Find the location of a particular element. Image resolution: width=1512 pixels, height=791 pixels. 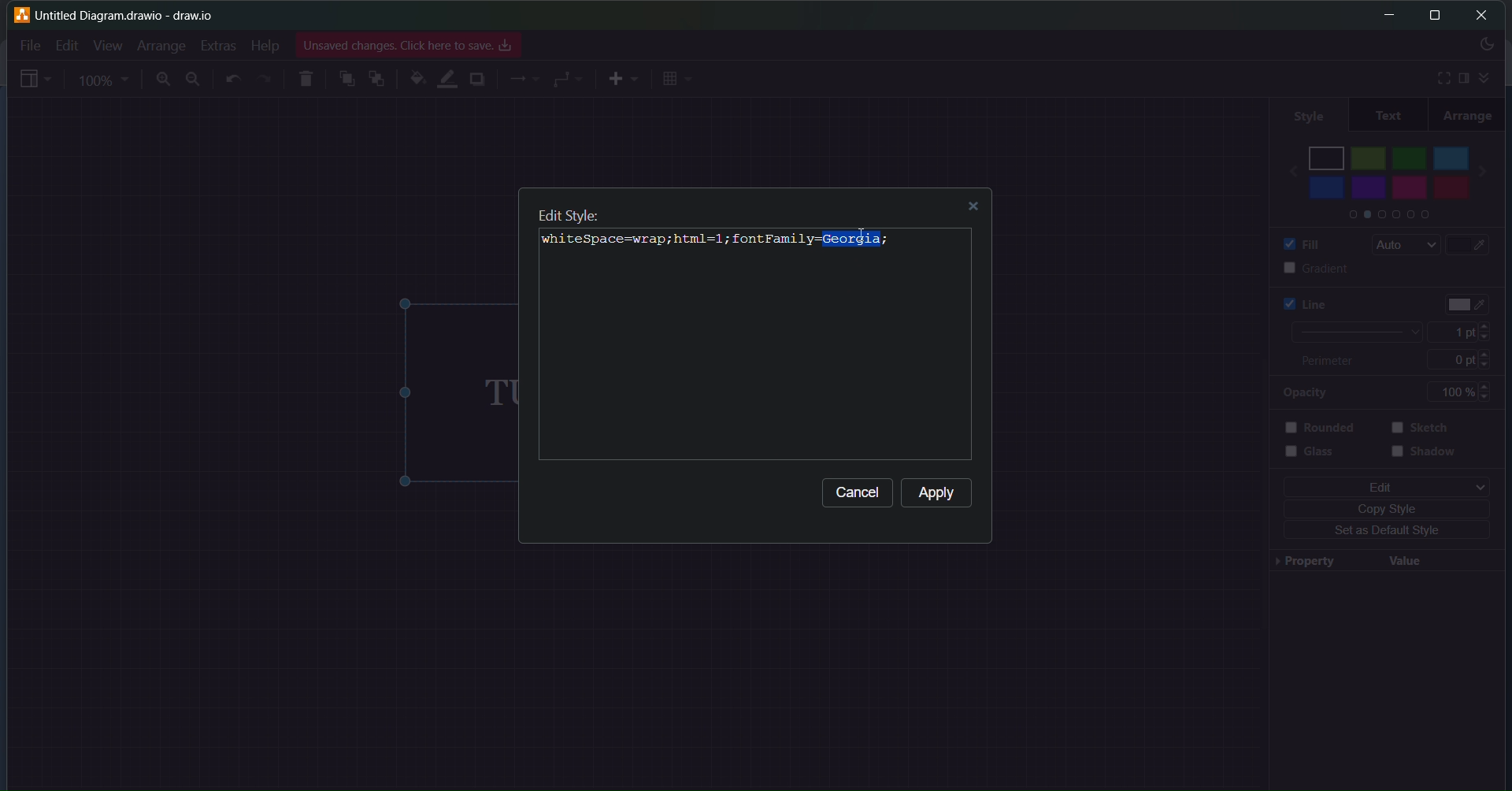

zoom out is located at coordinates (195, 79).